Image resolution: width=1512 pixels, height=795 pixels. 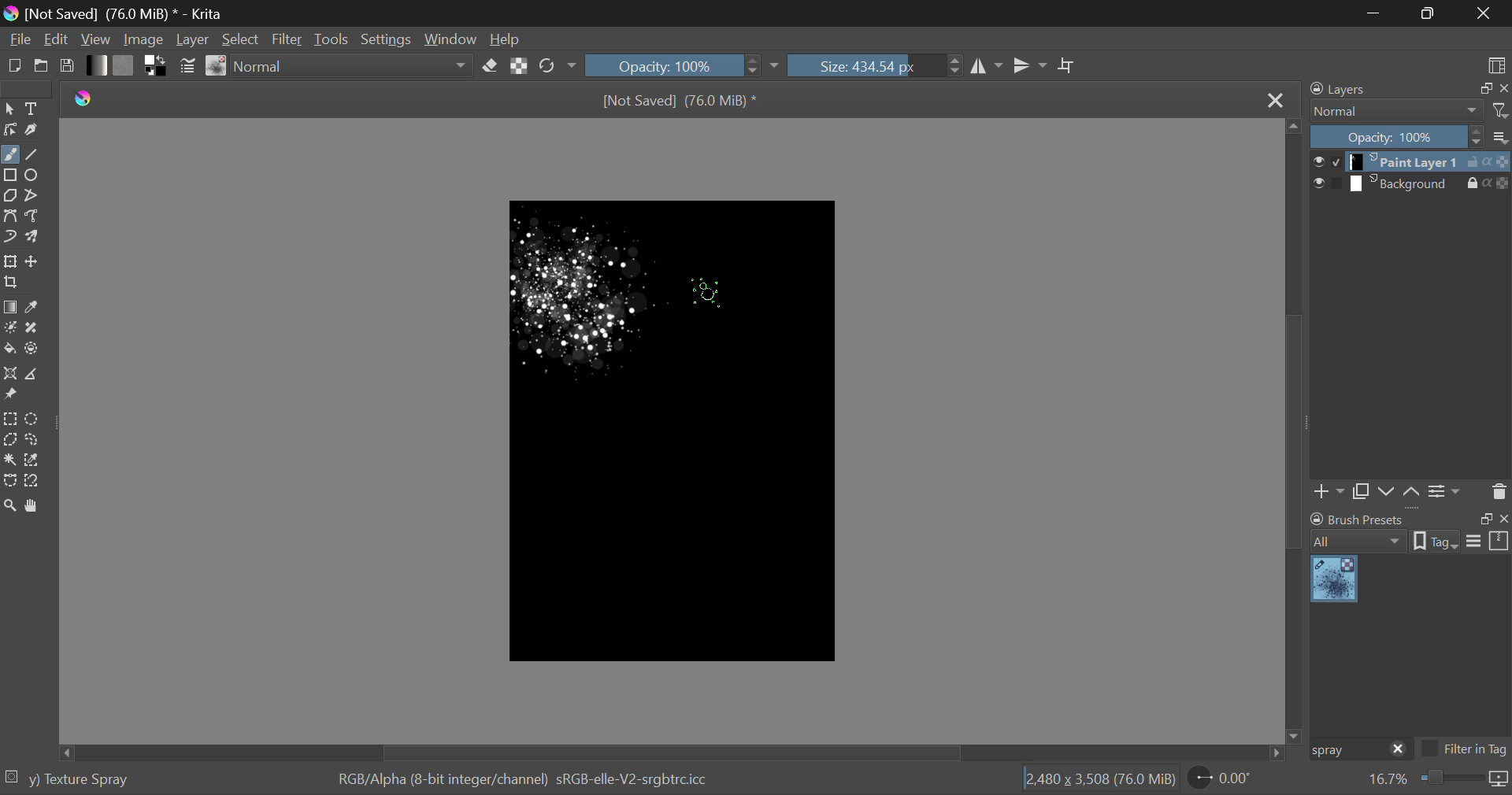 What do you see at coordinates (98, 65) in the screenshot?
I see `Gradient` at bounding box center [98, 65].